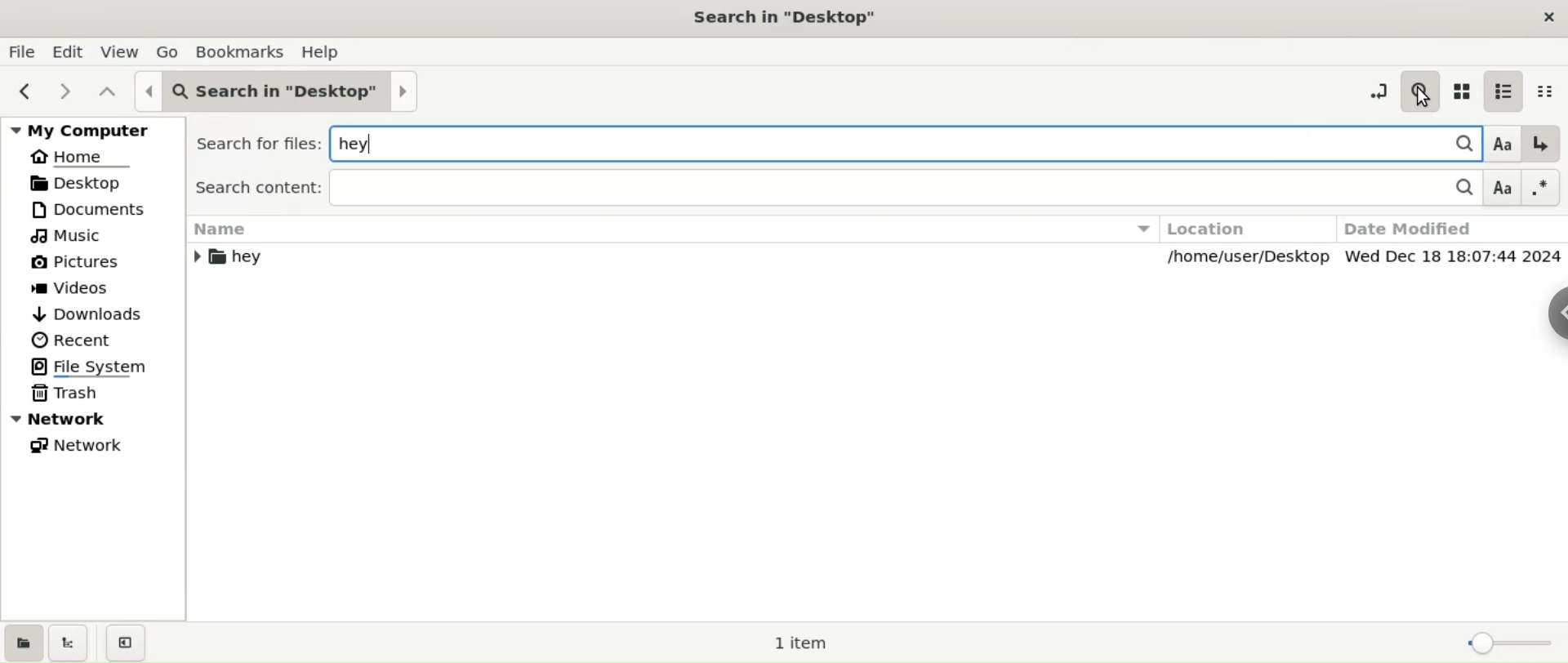  Describe the element at coordinates (1451, 240) in the screenshot. I see `Date Modified
Wed Dec 18 18:07:44 2024` at that location.